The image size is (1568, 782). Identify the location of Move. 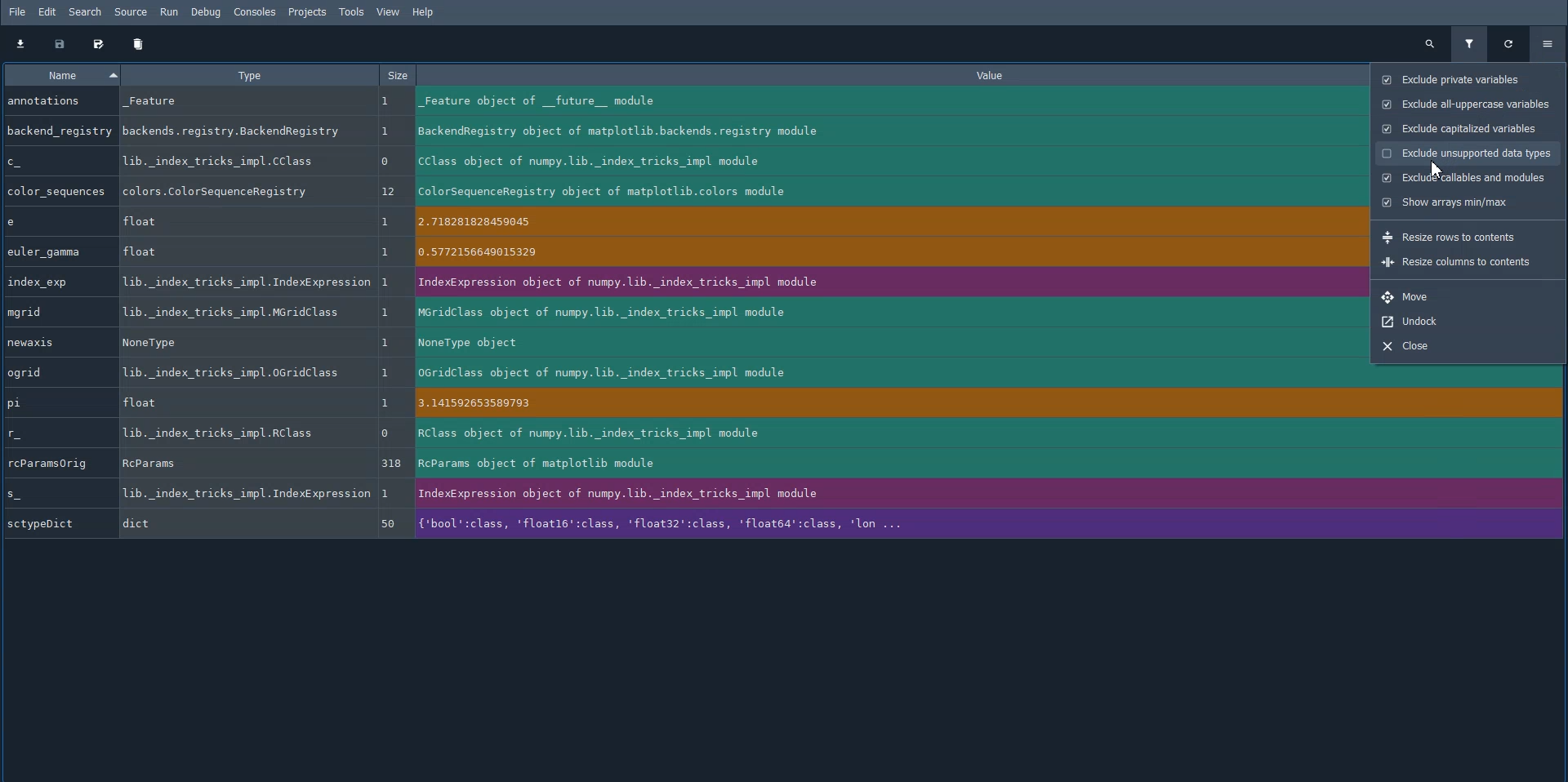
(1459, 297).